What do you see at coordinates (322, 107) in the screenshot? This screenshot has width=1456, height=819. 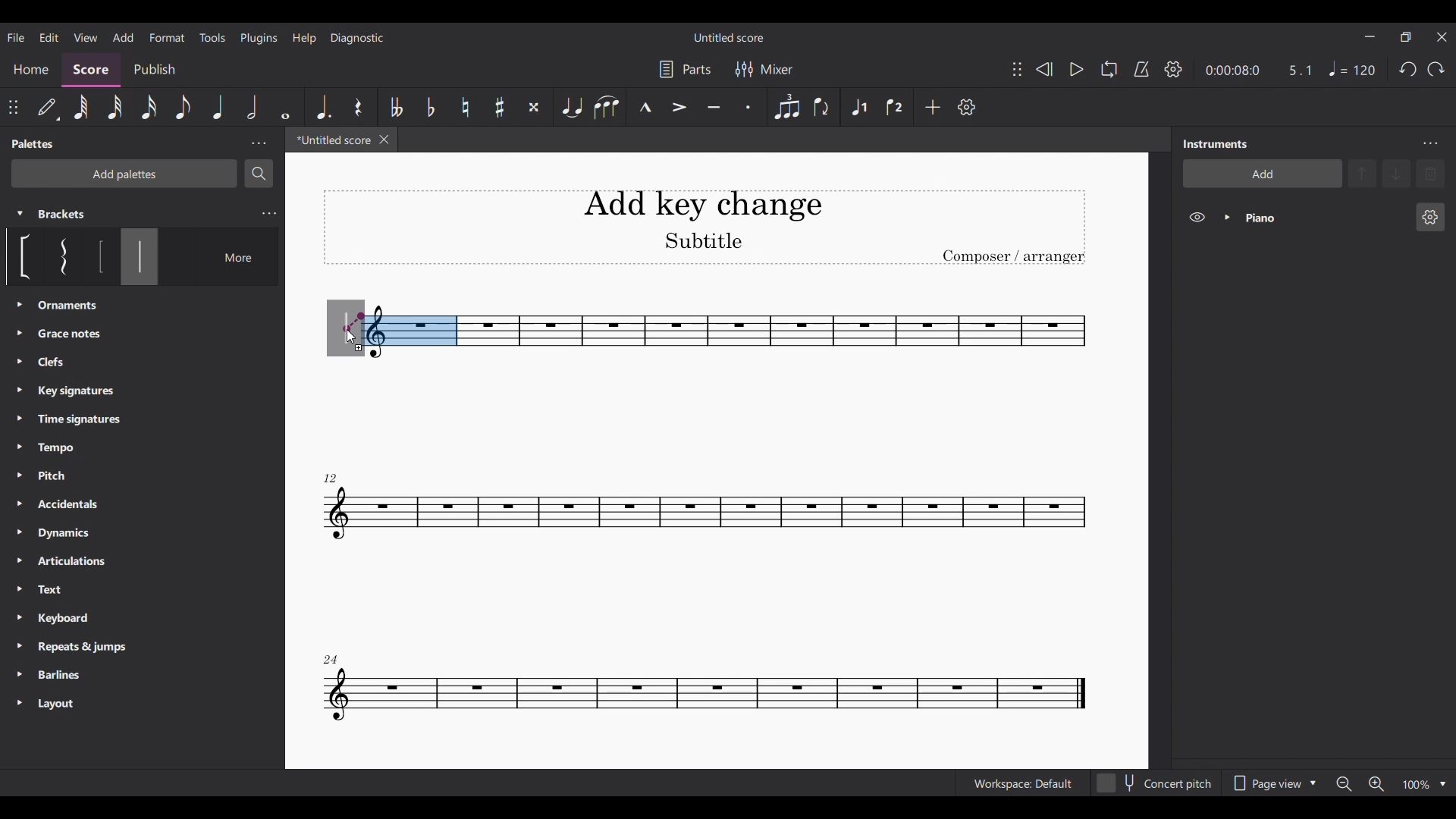 I see `Augmentation dot` at bounding box center [322, 107].